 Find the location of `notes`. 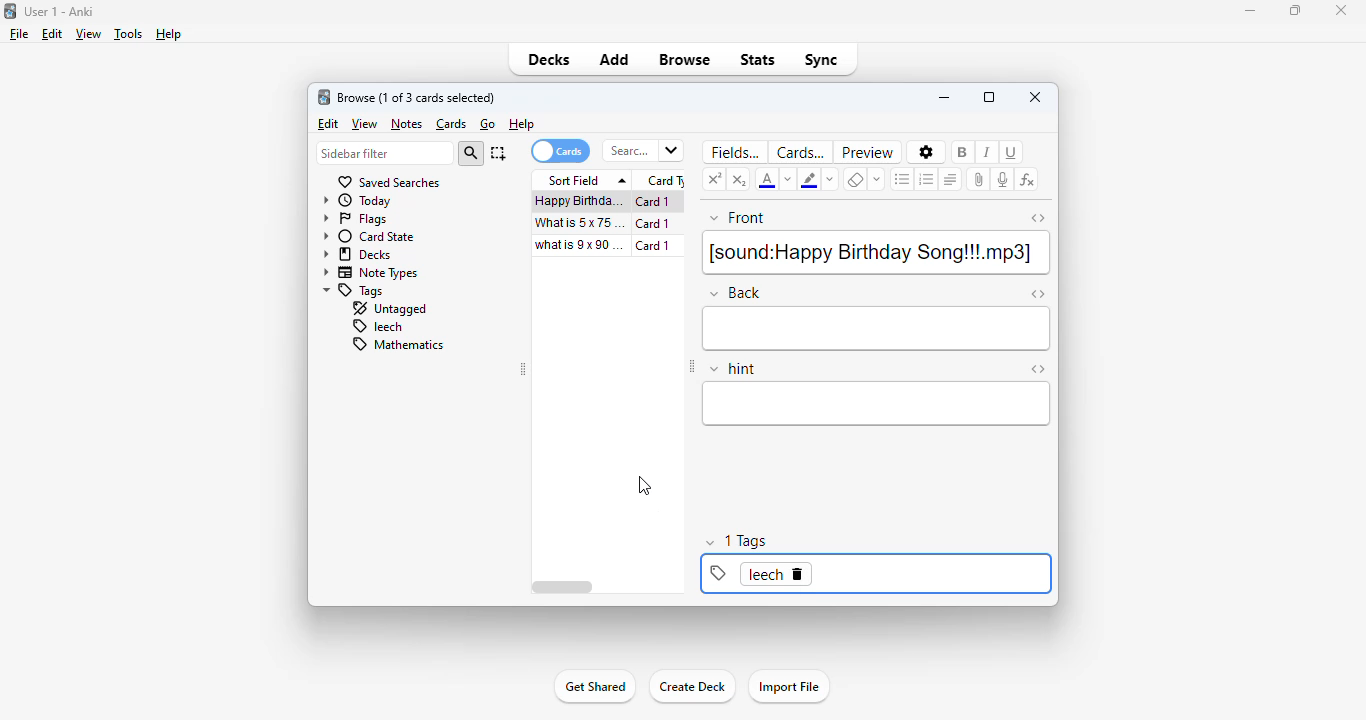

notes is located at coordinates (406, 124).